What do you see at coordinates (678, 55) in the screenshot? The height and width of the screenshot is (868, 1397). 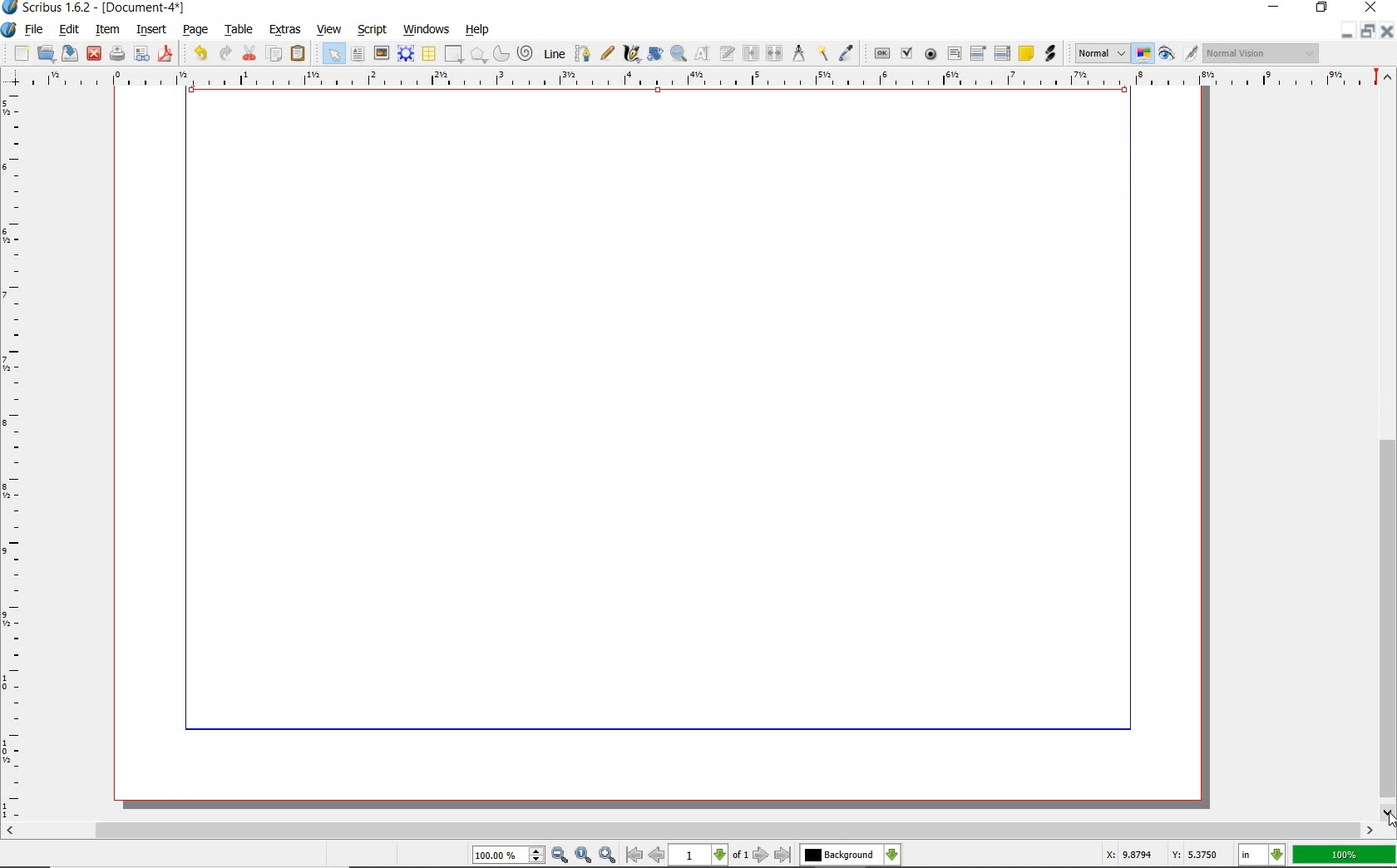 I see `zoom in or zoom out` at bounding box center [678, 55].